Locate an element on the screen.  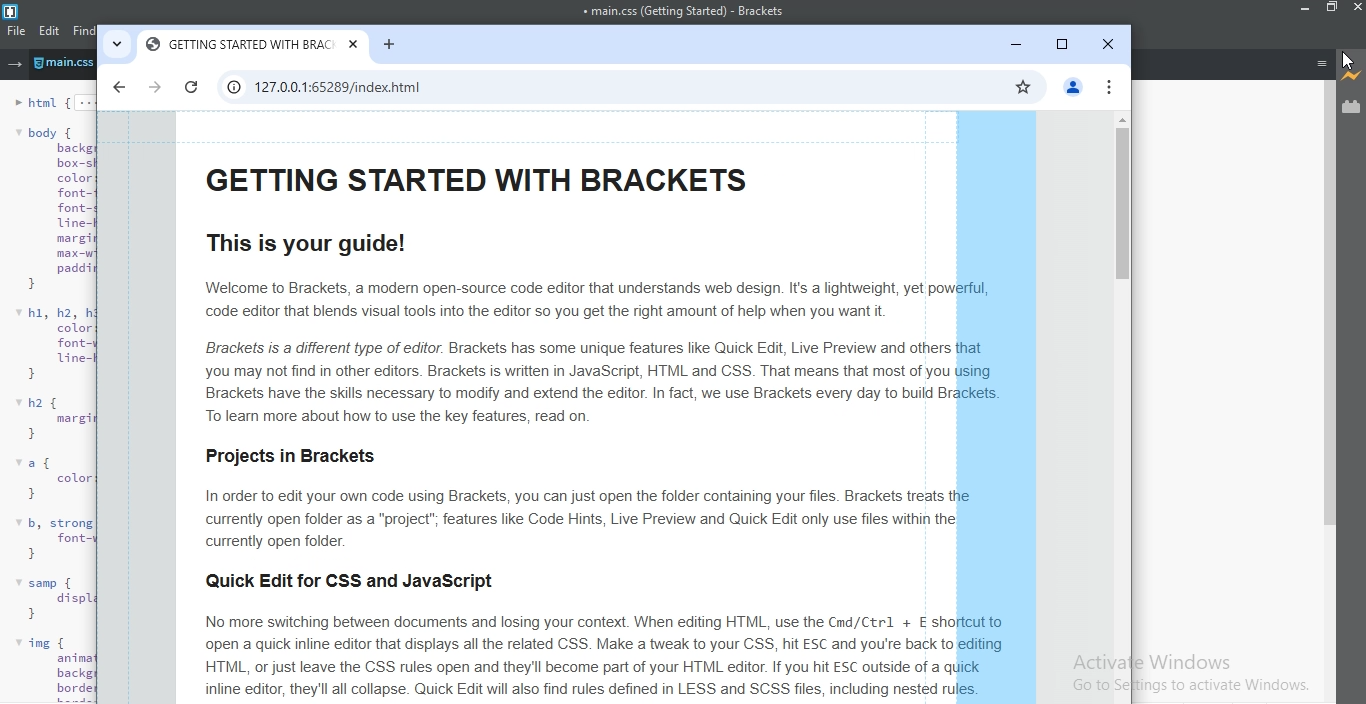
search bar is located at coordinates (611, 86).